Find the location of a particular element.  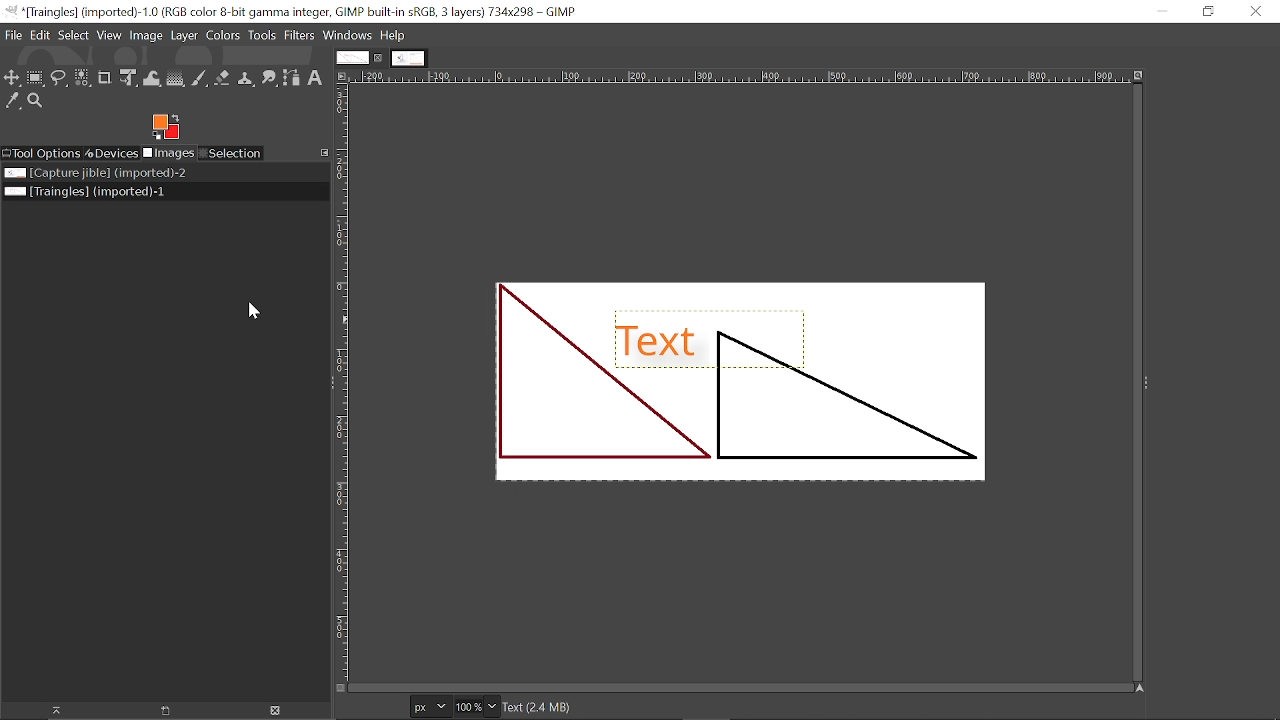

Open new display for this image is located at coordinates (165, 711).